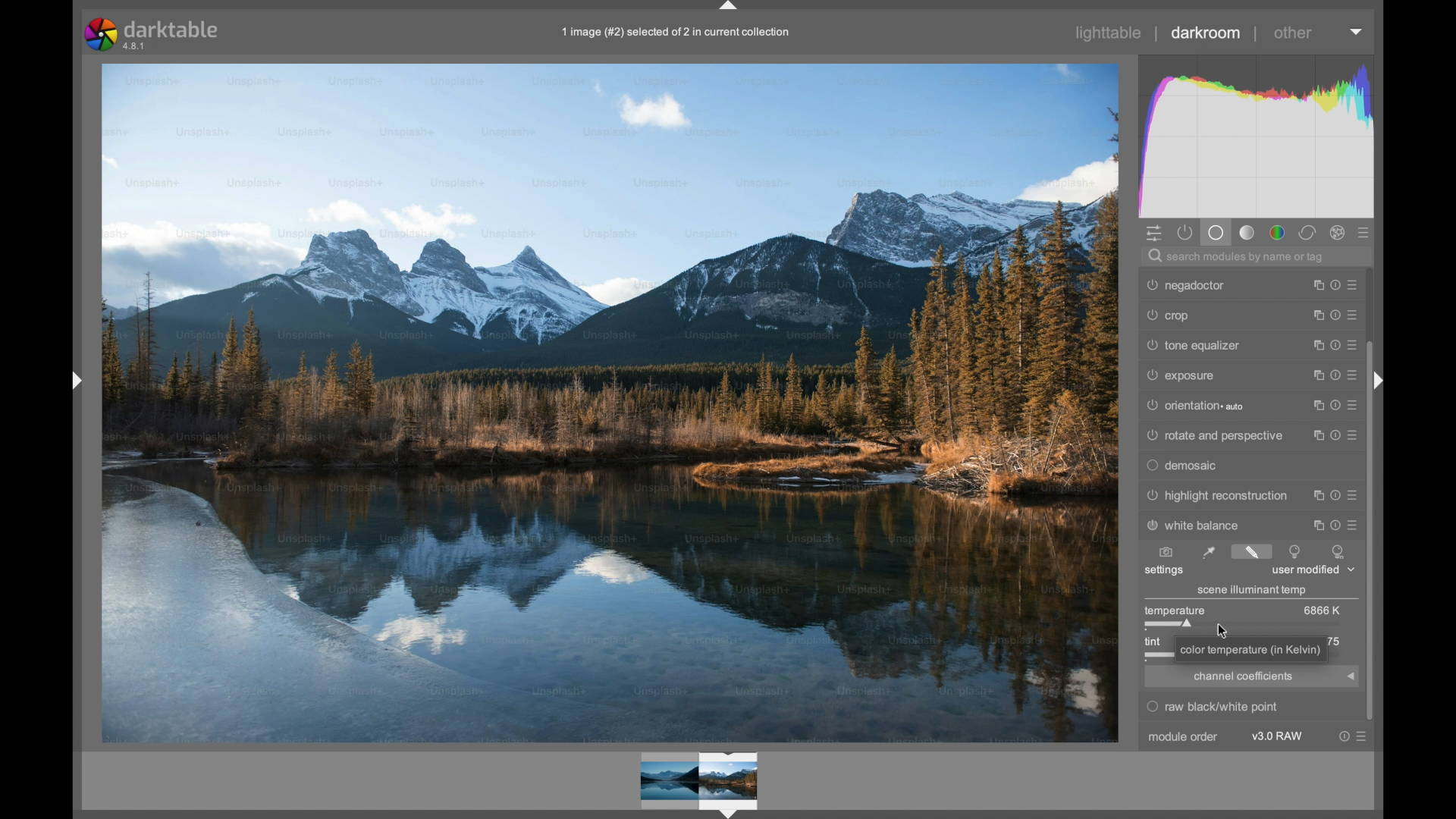  Describe the element at coordinates (1169, 625) in the screenshot. I see `slider` at that location.